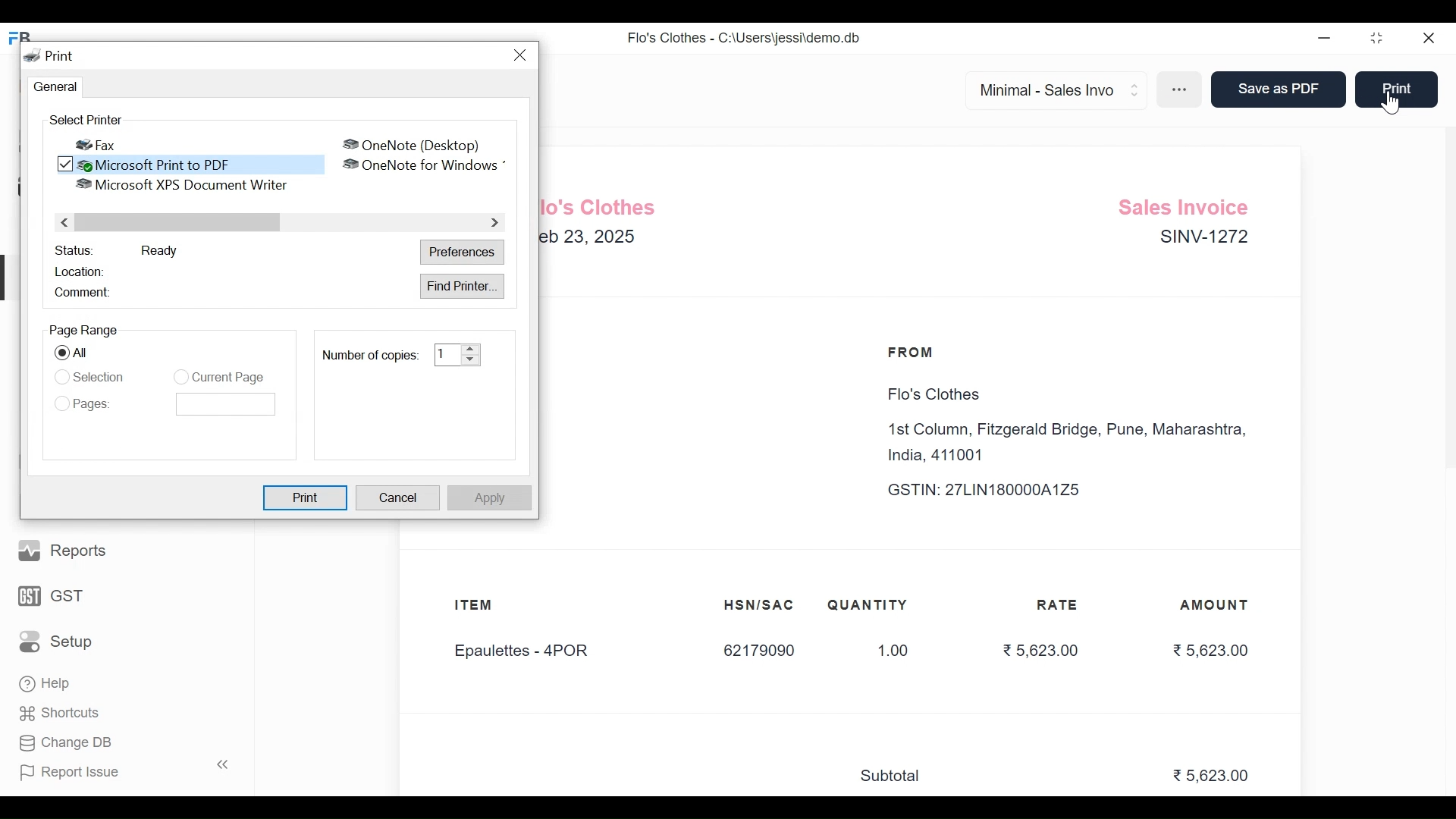 The height and width of the screenshot is (819, 1456). What do you see at coordinates (463, 286) in the screenshot?
I see `Find Printer.` at bounding box center [463, 286].